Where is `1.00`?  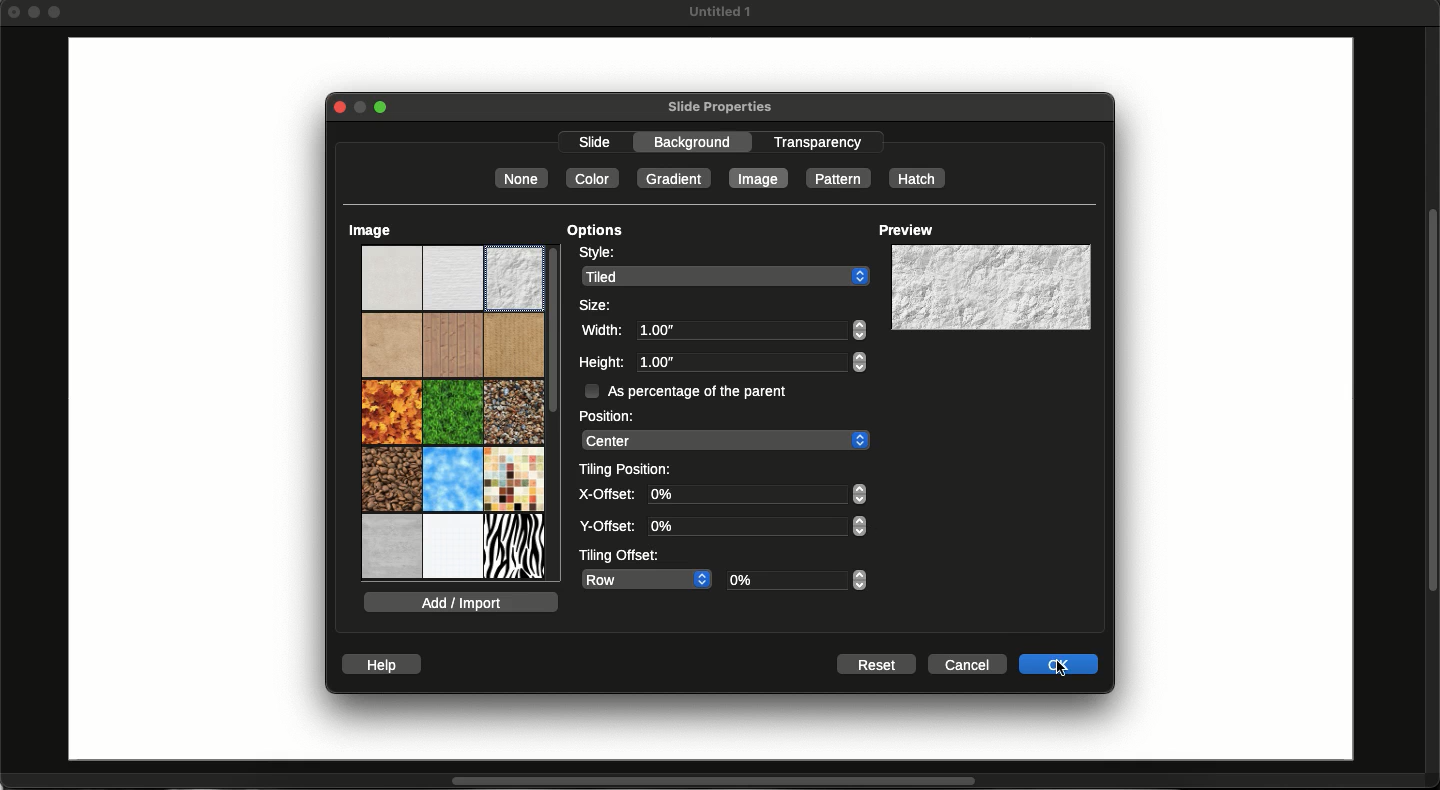
1.00 is located at coordinates (750, 362).